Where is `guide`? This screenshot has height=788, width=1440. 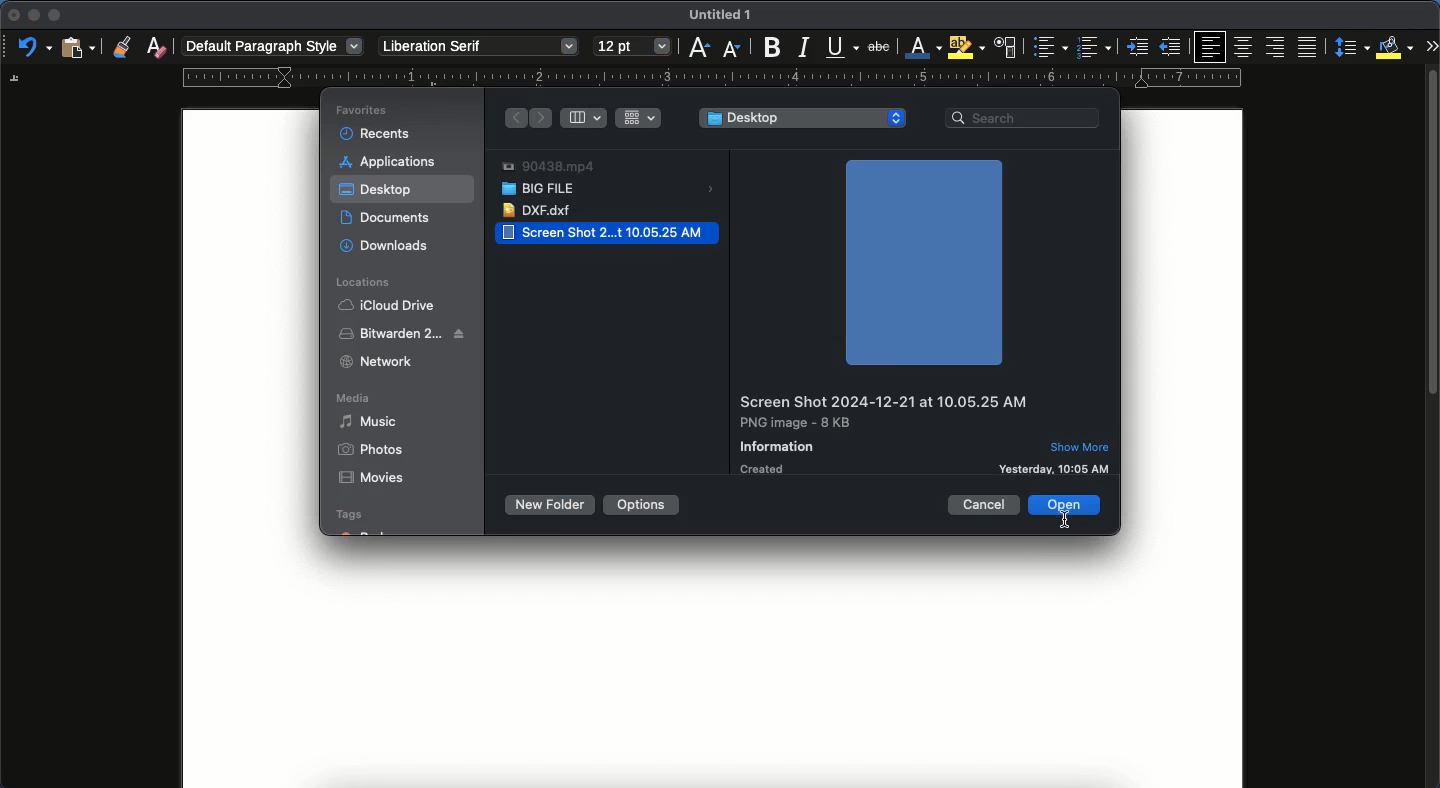
guide is located at coordinates (711, 78).